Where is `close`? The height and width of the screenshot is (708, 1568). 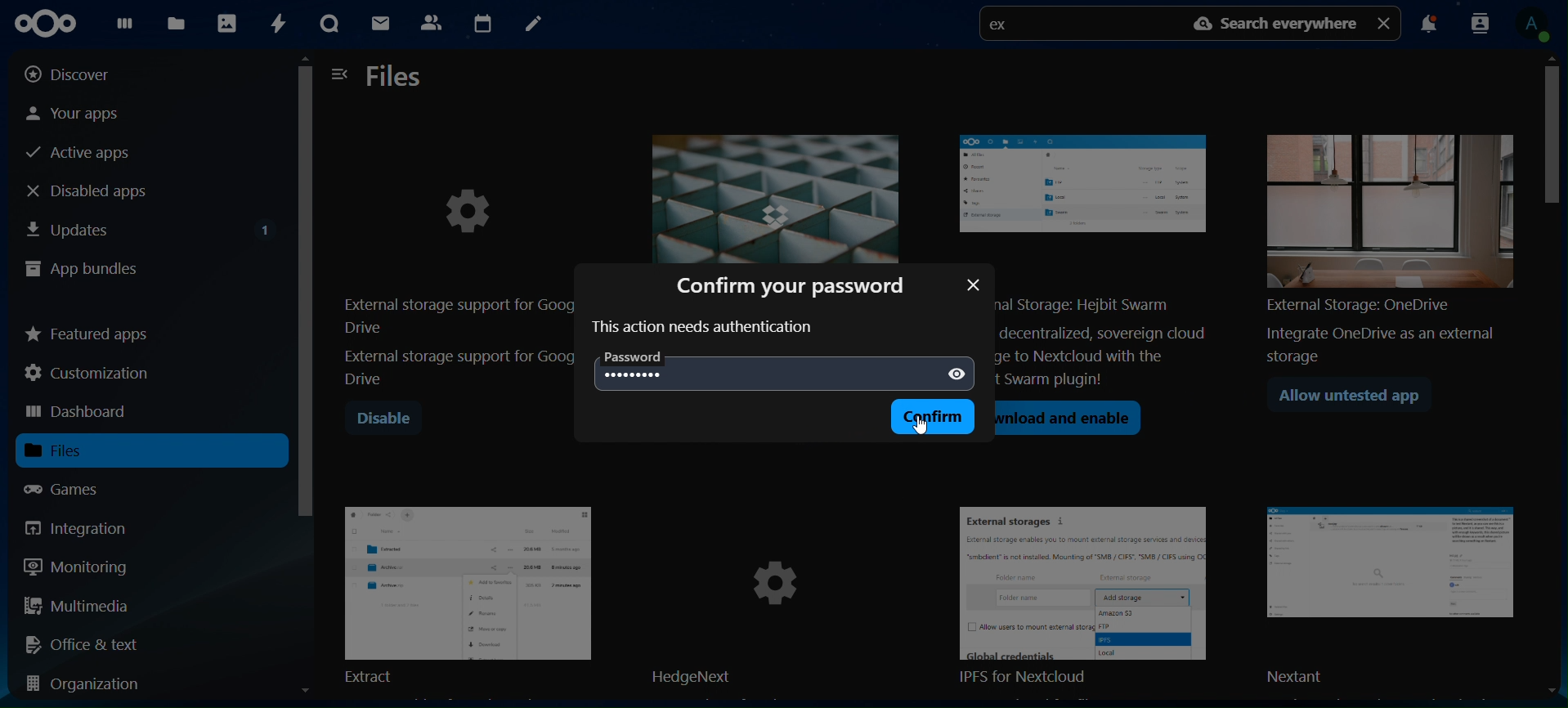 close is located at coordinates (1386, 22).